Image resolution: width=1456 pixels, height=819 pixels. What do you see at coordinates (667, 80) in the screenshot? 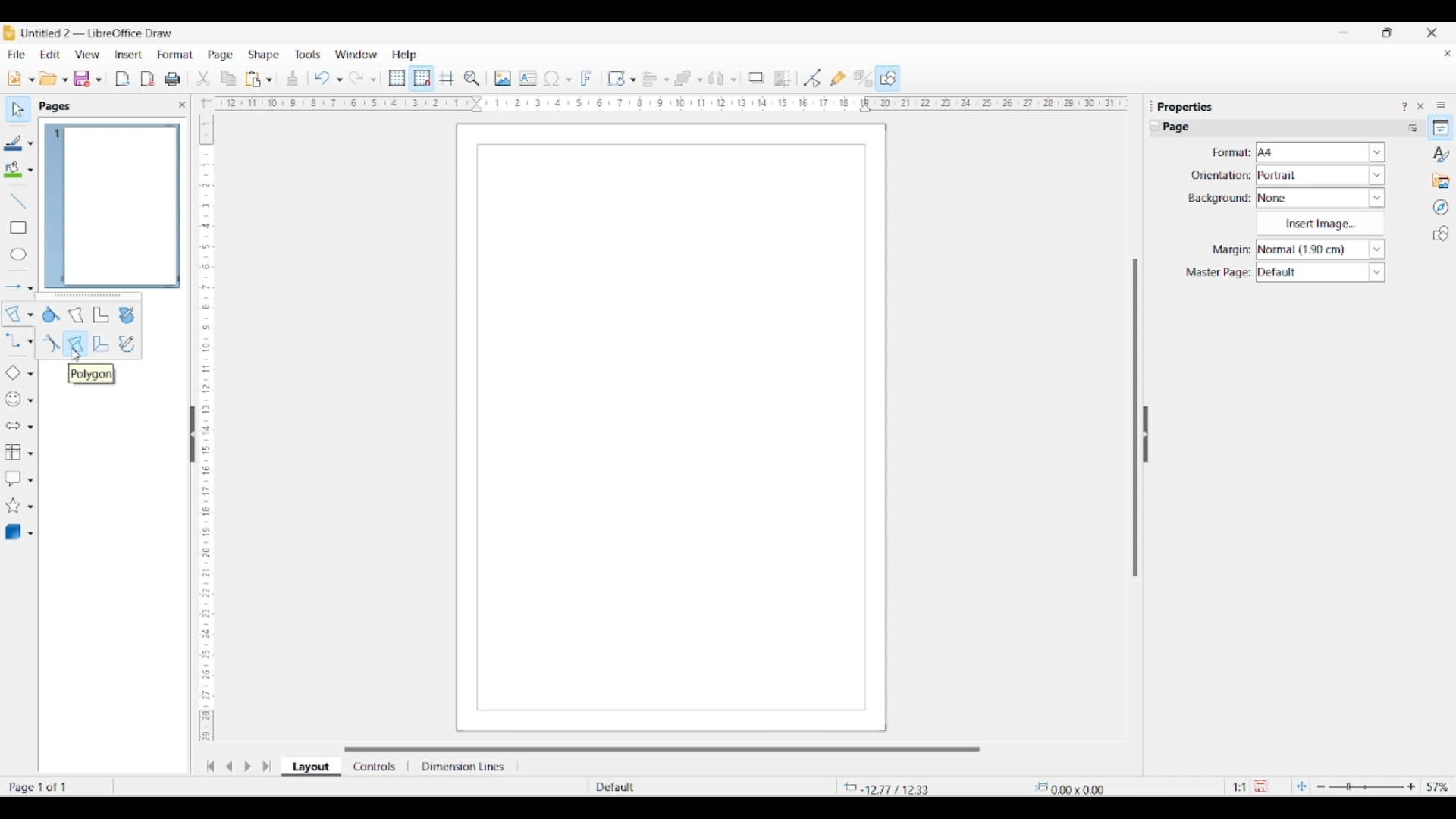
I see `Align object options` at bounding box center [667, 80].